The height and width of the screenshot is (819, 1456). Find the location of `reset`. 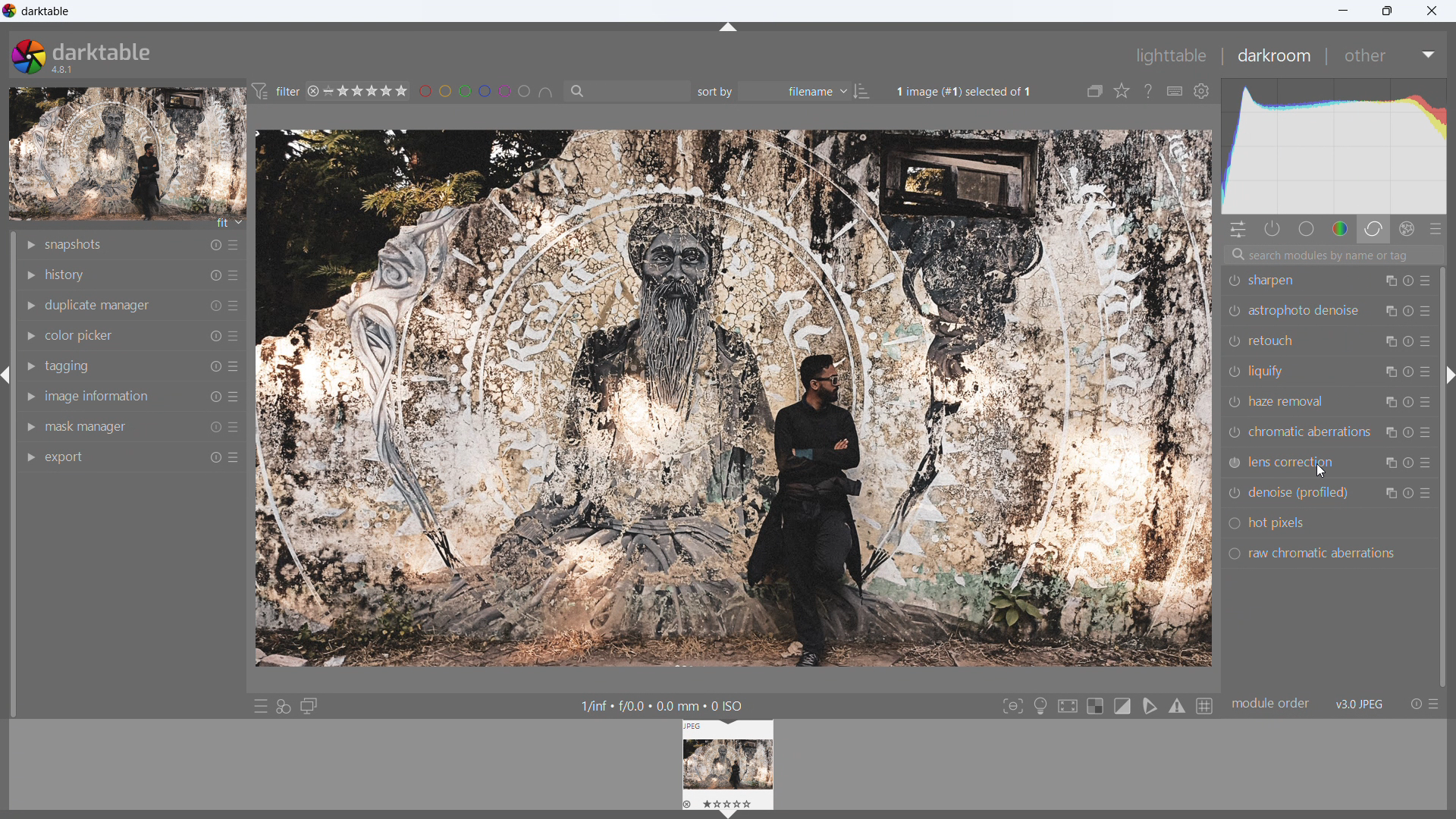

reset is located at coordinates (1410, 312).